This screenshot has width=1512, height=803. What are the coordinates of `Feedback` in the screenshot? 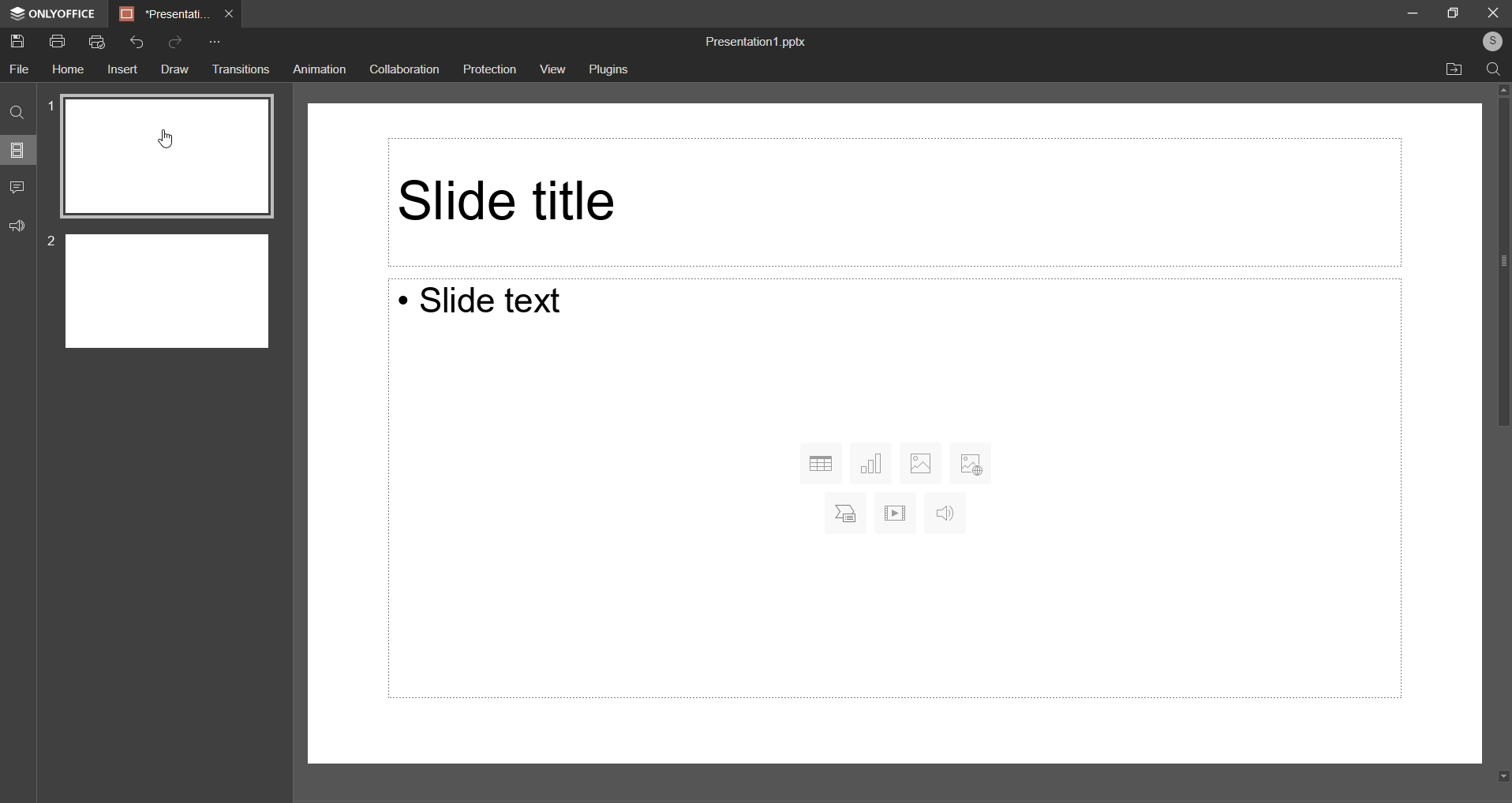 It's located at (20, 227).